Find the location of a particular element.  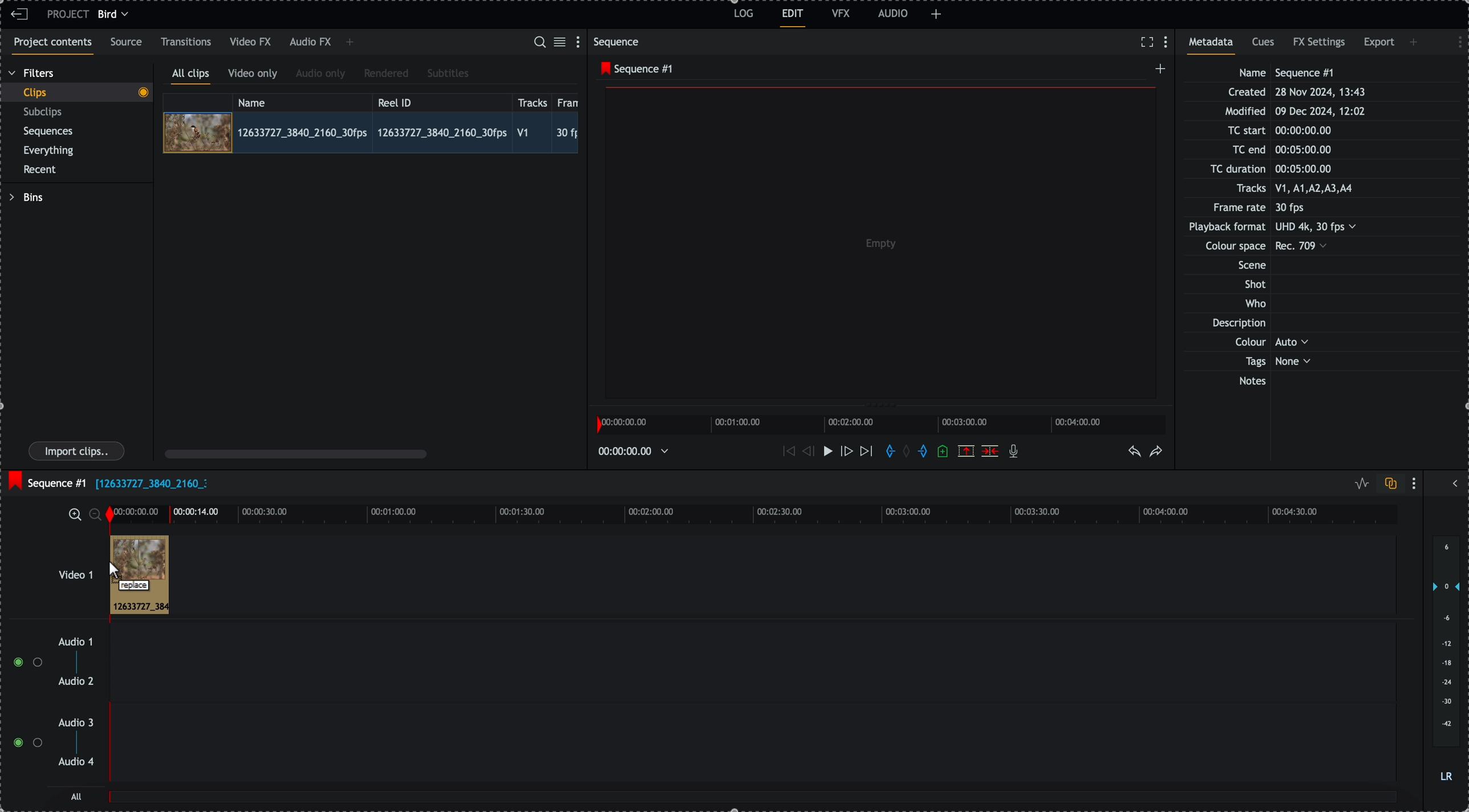

cursor is located at coordinates (136, 575).